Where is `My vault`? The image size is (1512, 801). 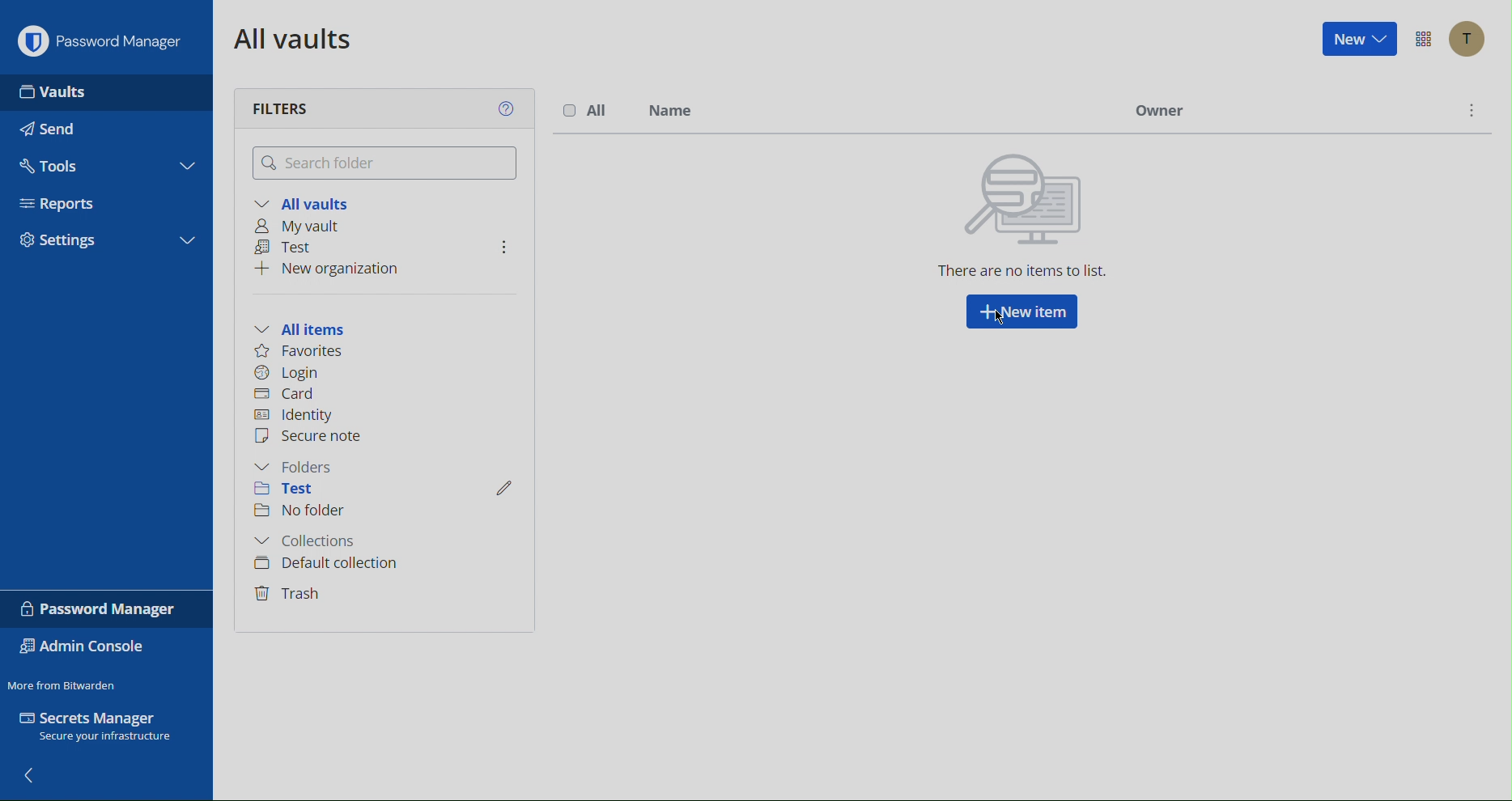 My vault is located at coordinates (304, 224).